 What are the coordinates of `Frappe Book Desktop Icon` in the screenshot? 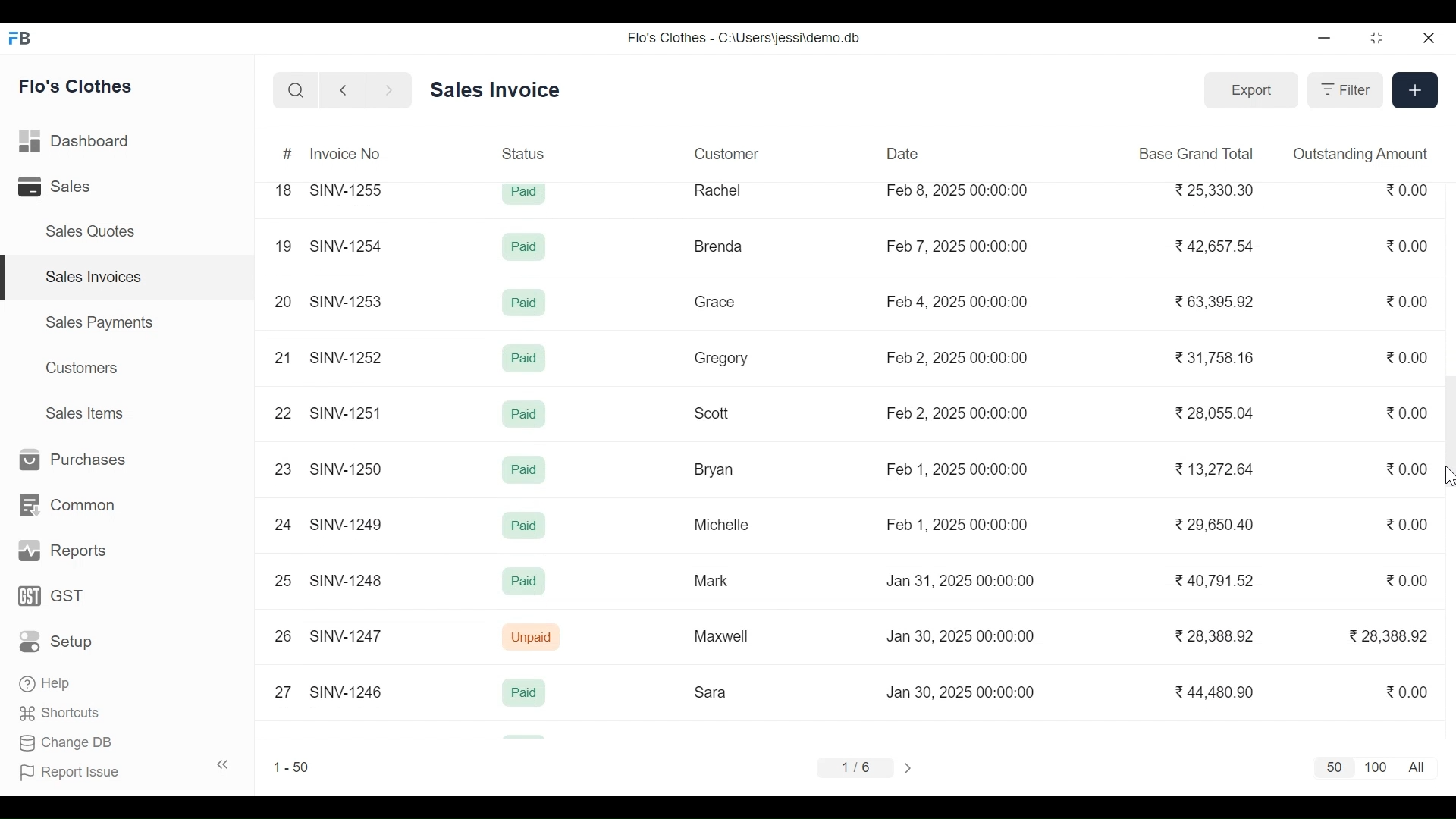 It's located at (25, 39).